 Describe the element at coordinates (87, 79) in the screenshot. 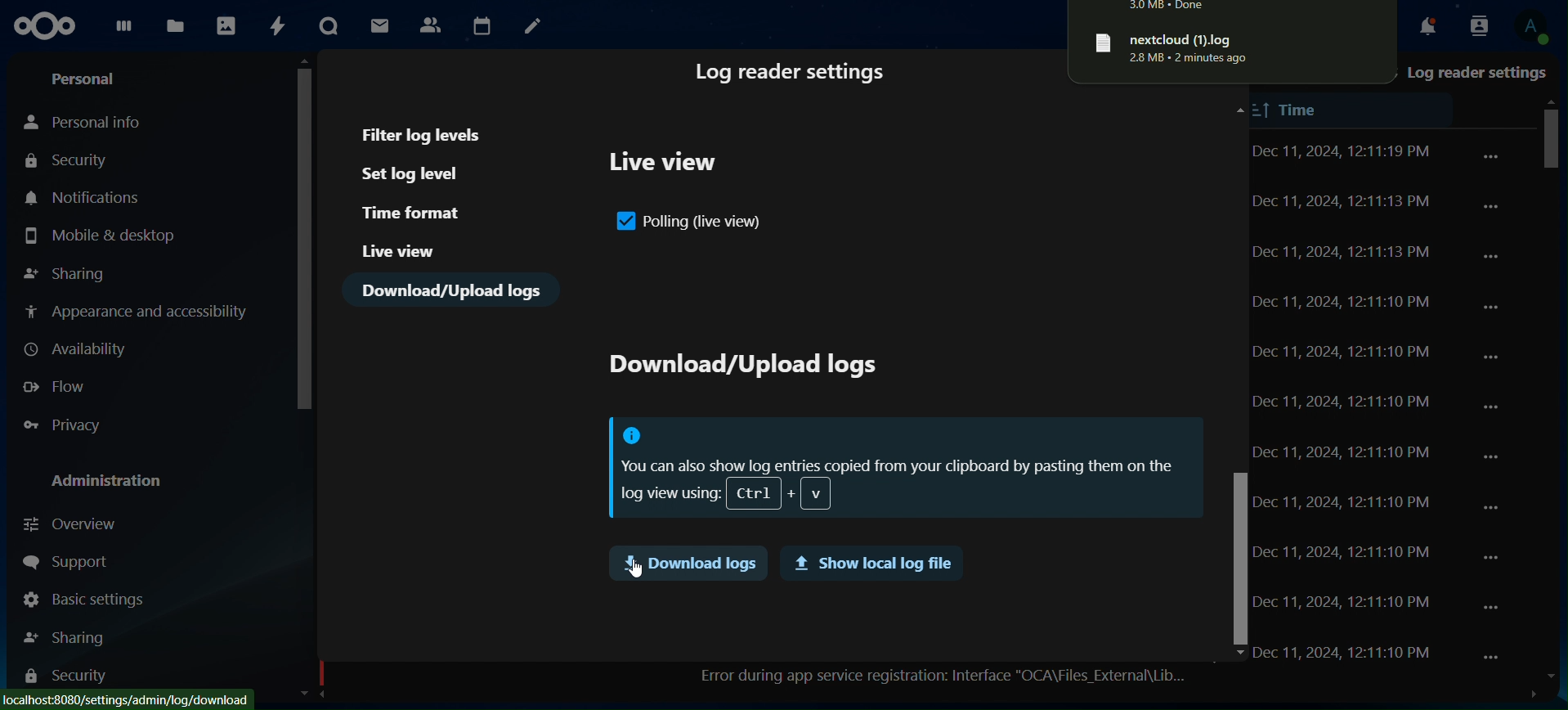

I see `personal` at that location.